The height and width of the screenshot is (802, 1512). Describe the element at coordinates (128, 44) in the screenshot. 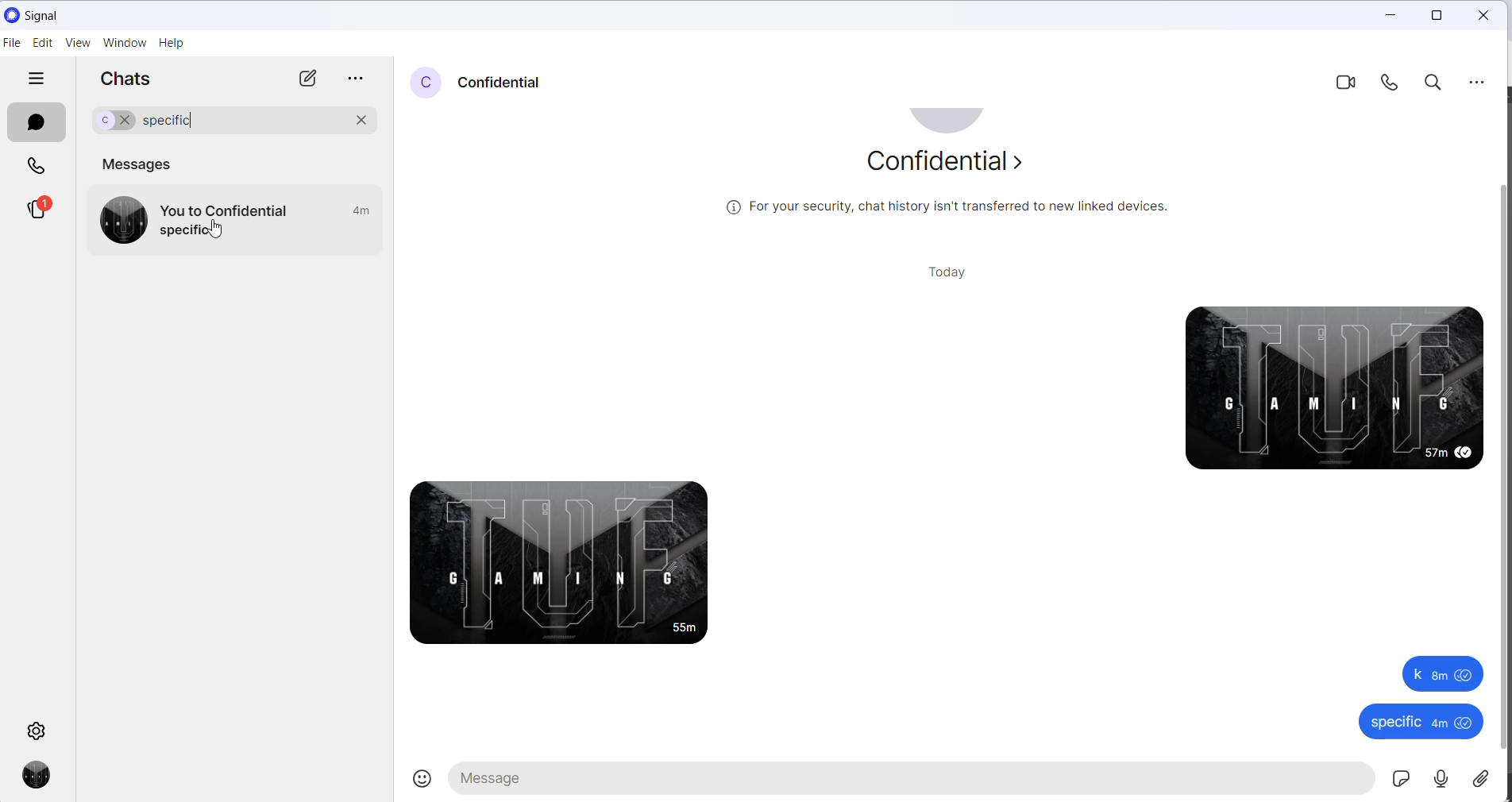

I see `window` at that location.